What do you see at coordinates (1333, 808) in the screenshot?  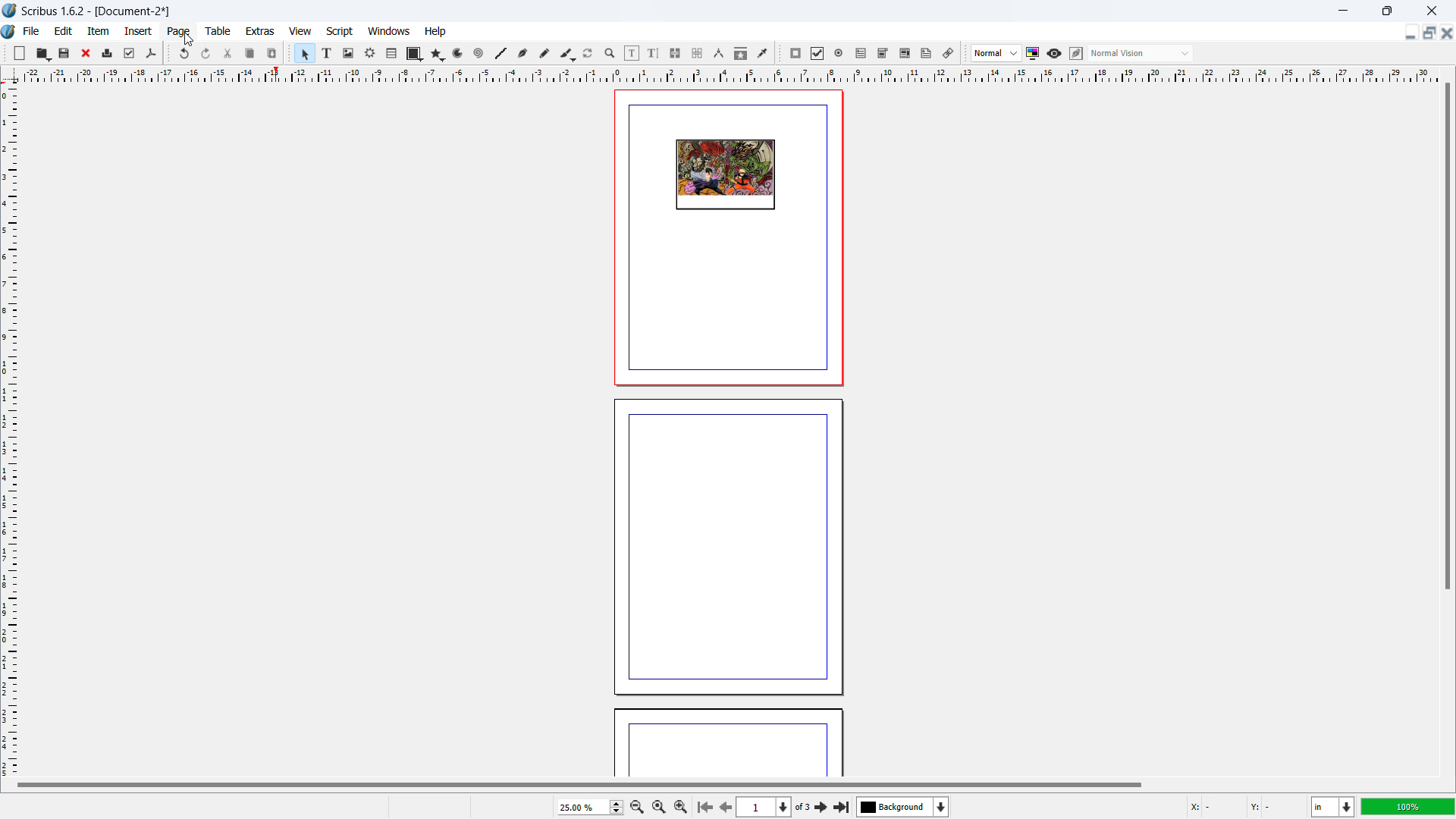 I see `unit of measurement` at bounding box center [1333, 808].